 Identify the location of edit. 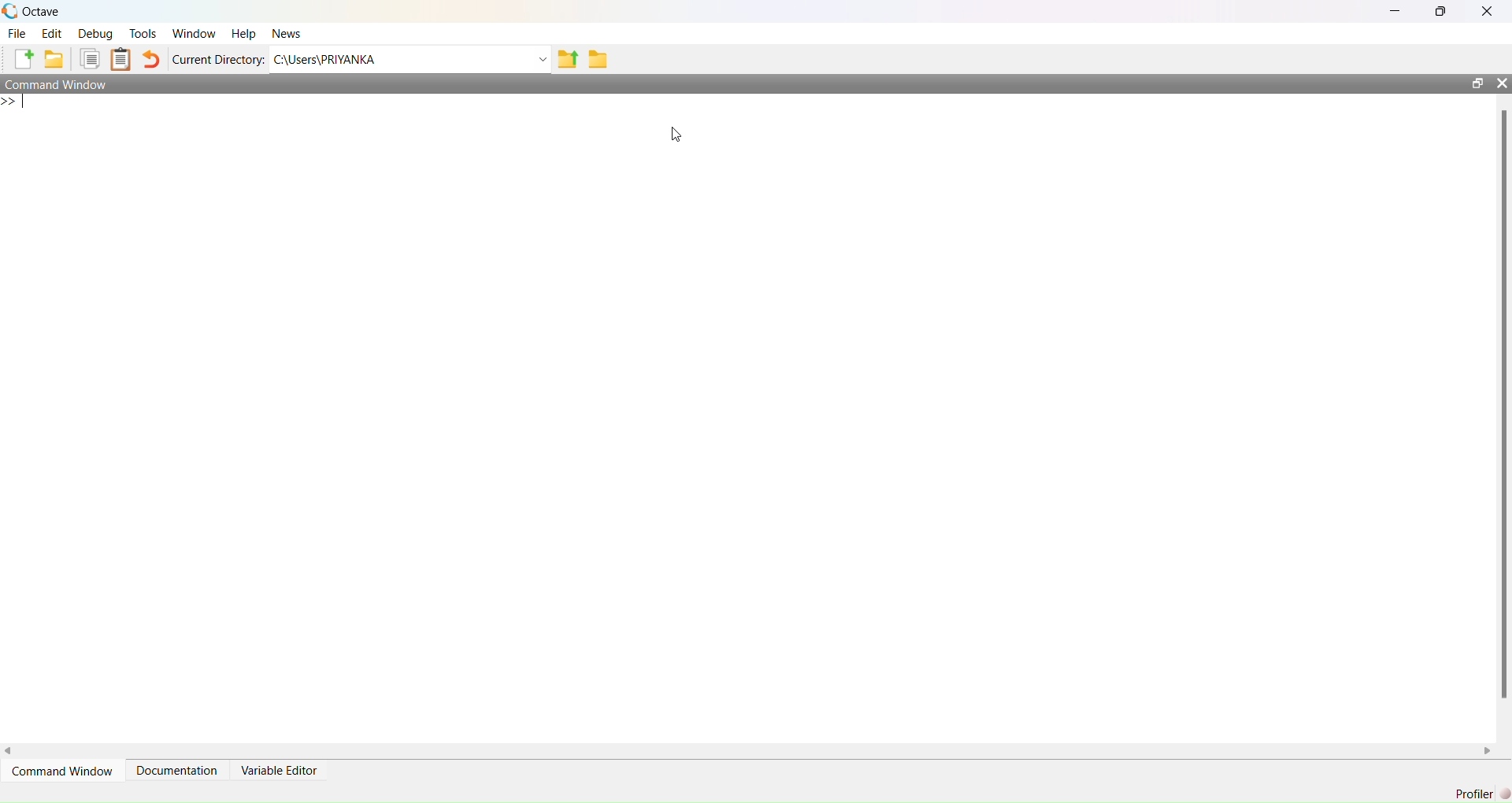
(50, 34).